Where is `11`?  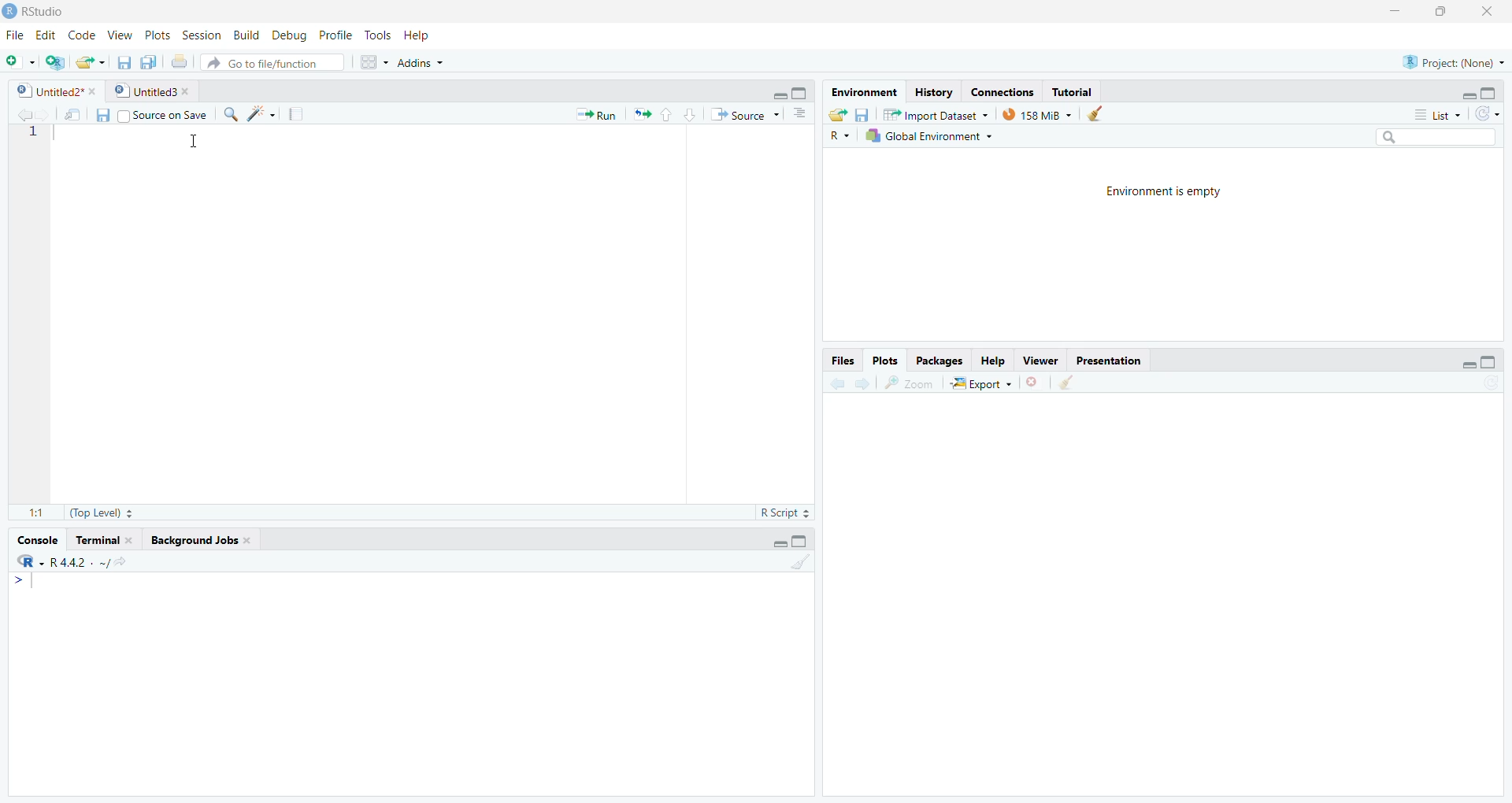 11 is located at coordinates (30, 509).